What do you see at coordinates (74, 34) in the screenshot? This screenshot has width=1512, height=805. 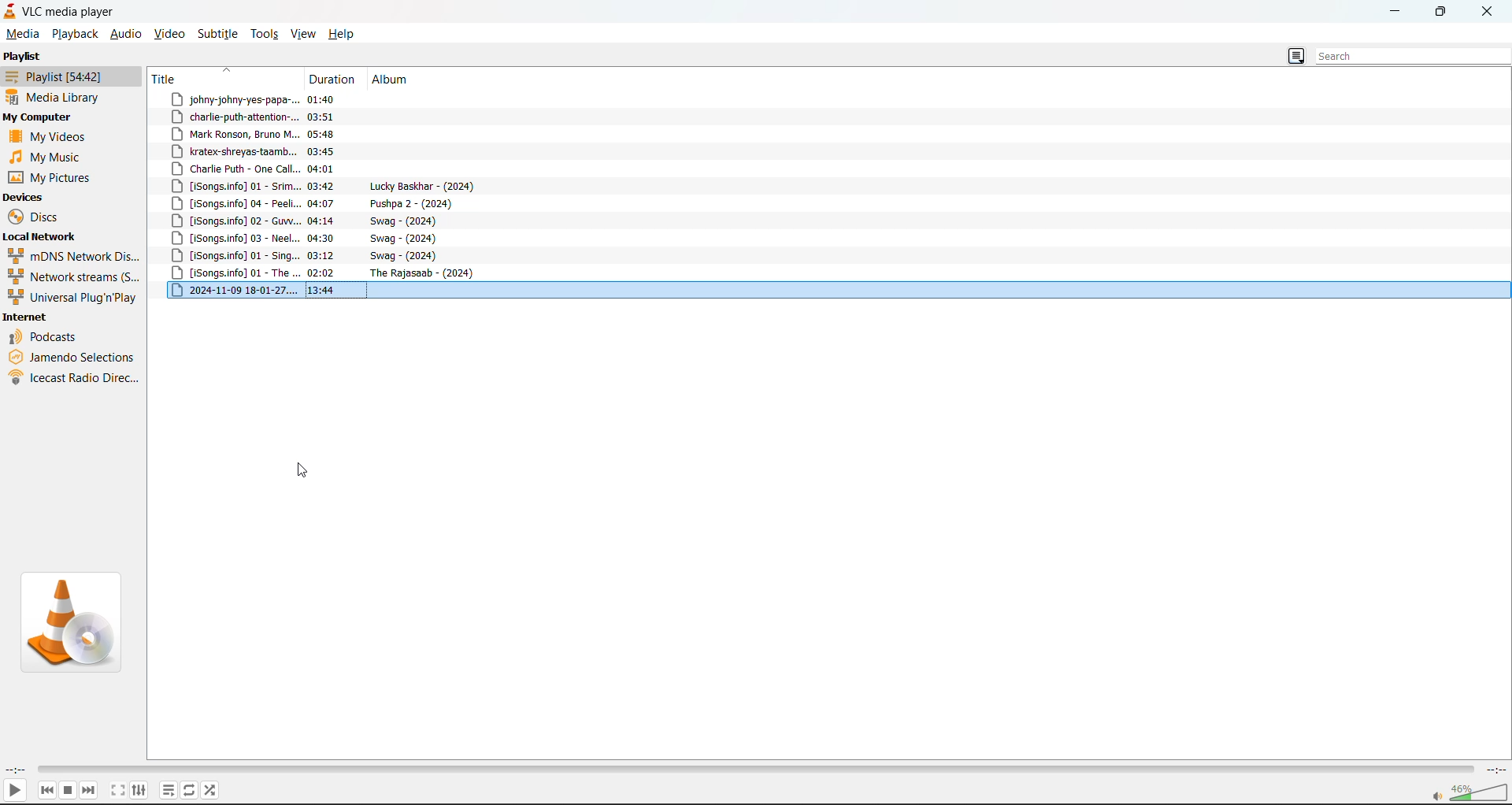 I see `playback` at bounding box center [74, 34].